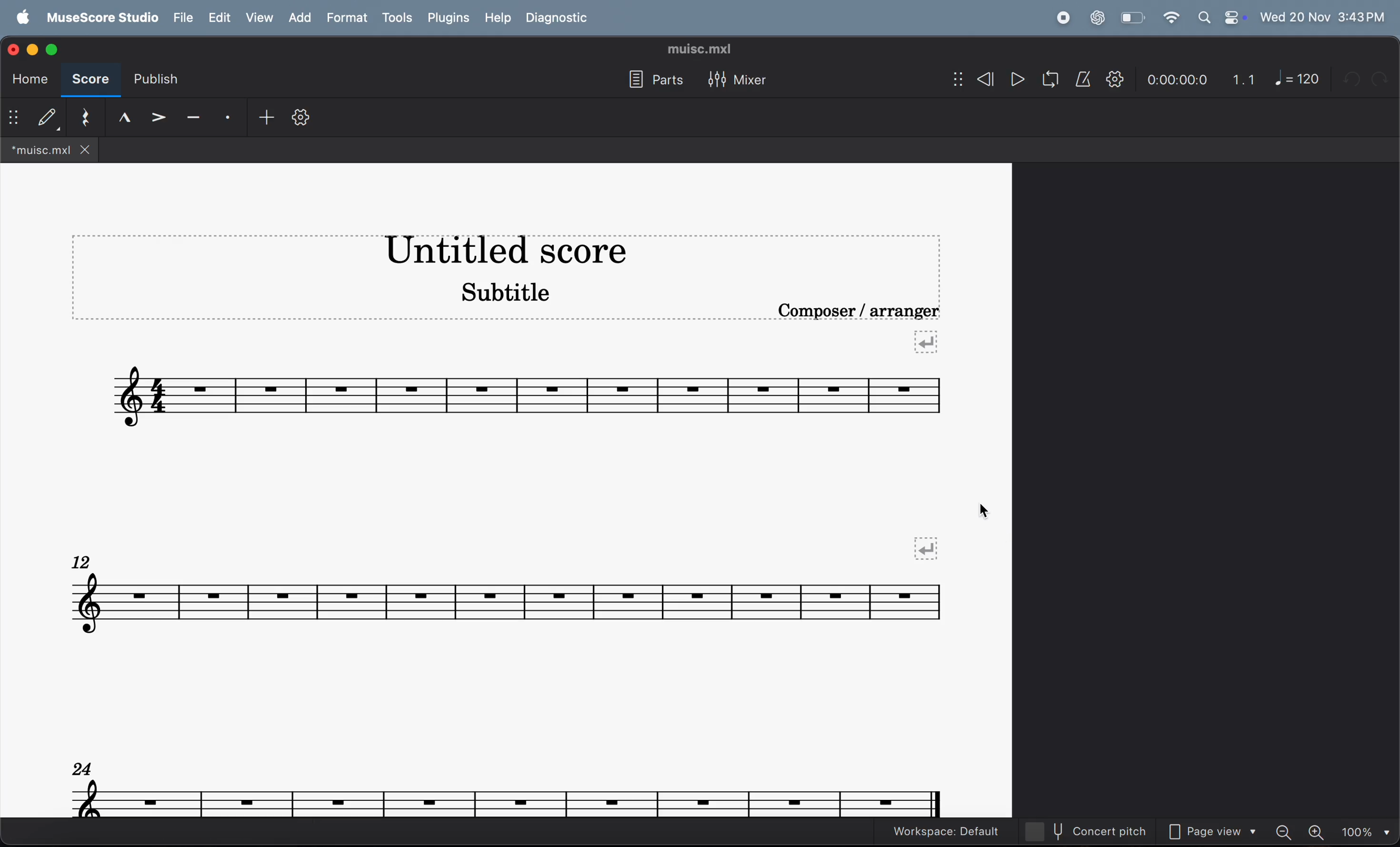 The width and height of the screenshot is (1400, 847). Describe the element at coordinates (82, 118) in the screenshot. I see `reset` at that location.